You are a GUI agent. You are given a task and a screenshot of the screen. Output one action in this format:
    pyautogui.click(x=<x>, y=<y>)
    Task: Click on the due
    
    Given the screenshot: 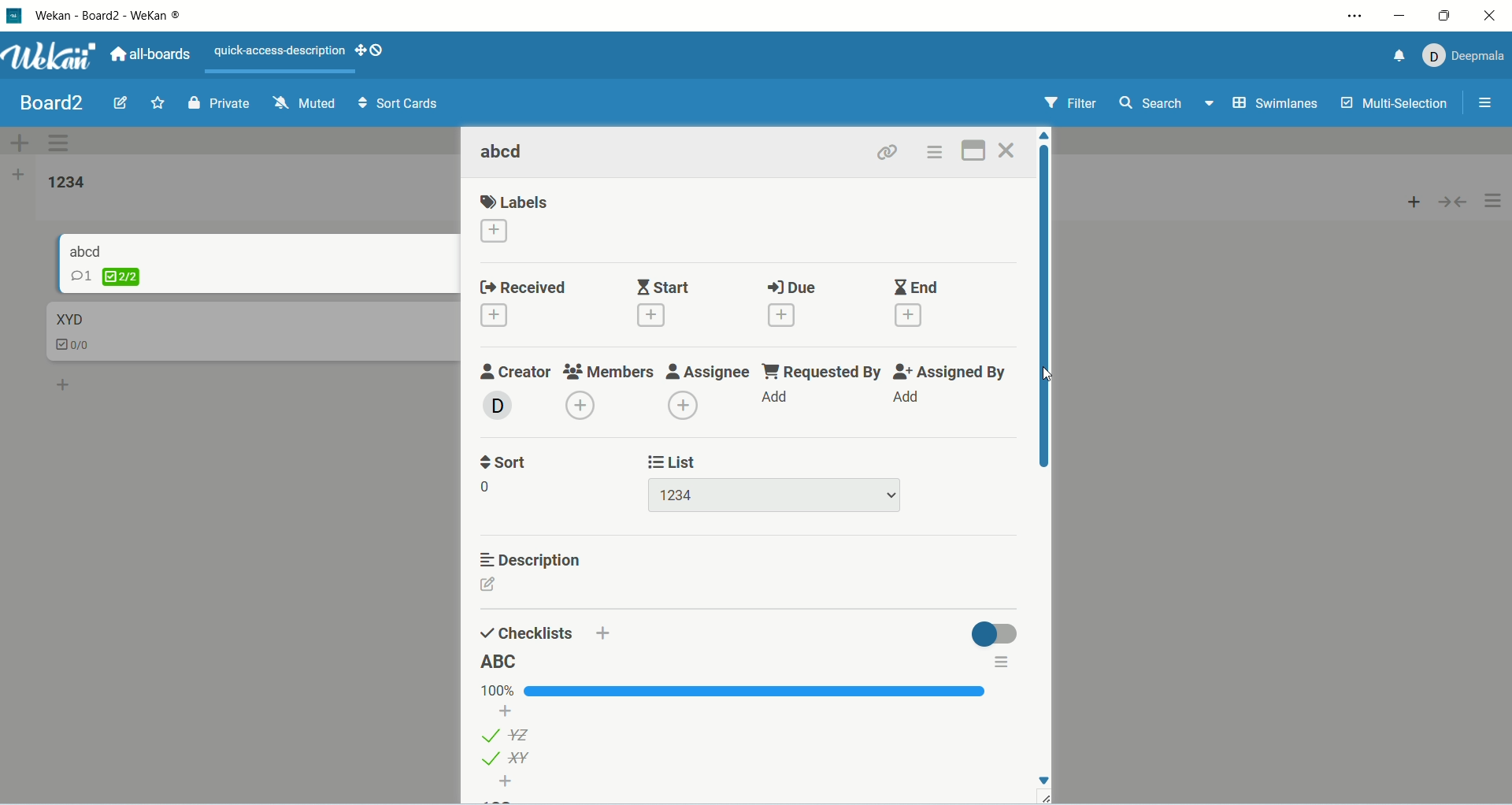 What is the action you would take?
    pyautogui.click(x=793, y=288)
    